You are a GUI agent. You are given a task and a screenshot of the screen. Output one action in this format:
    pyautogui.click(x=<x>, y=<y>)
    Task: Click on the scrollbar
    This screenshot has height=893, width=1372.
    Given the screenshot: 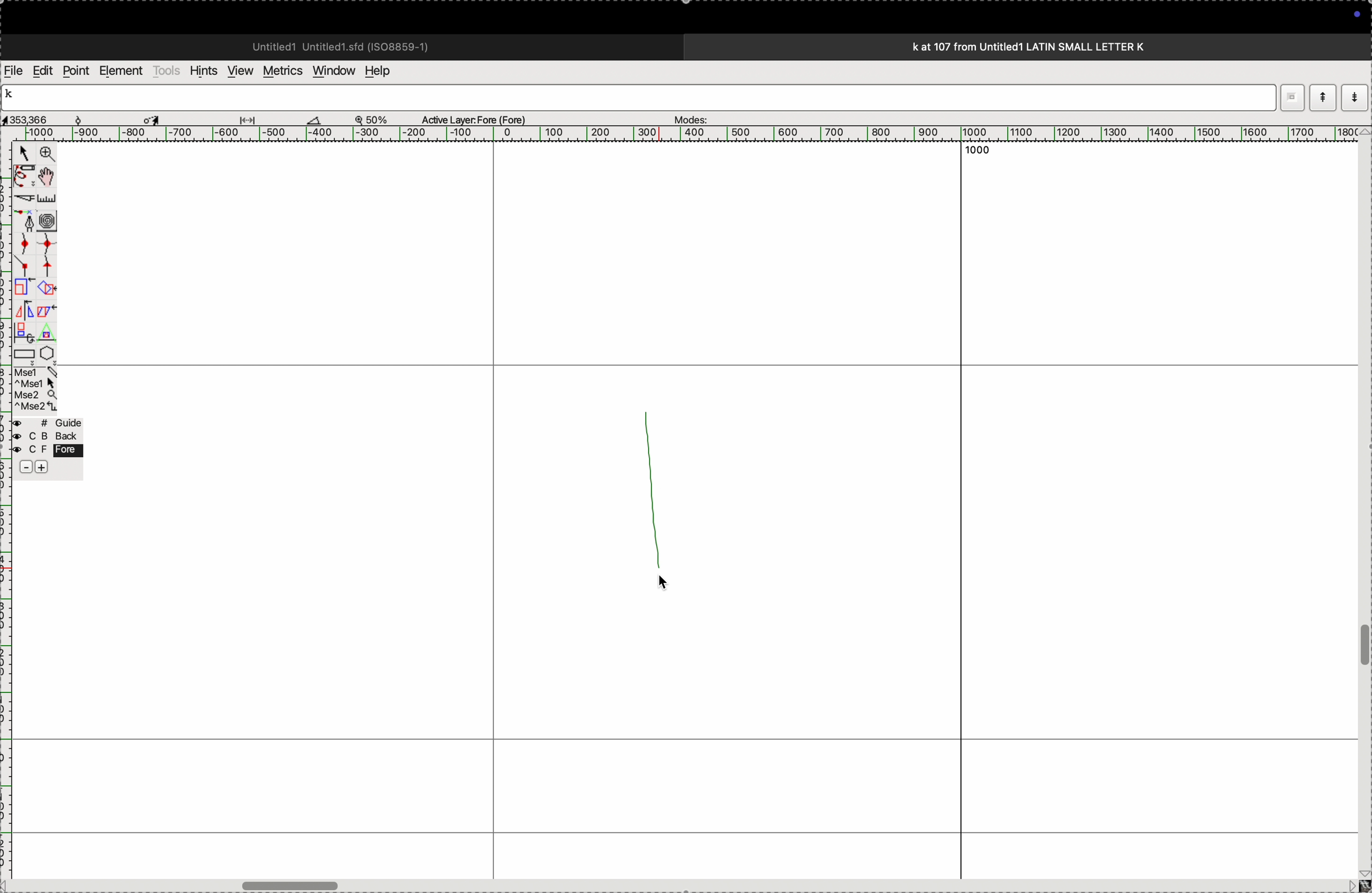 What is the action you would take?
    pyautogui.click(x=293, y=881)
    